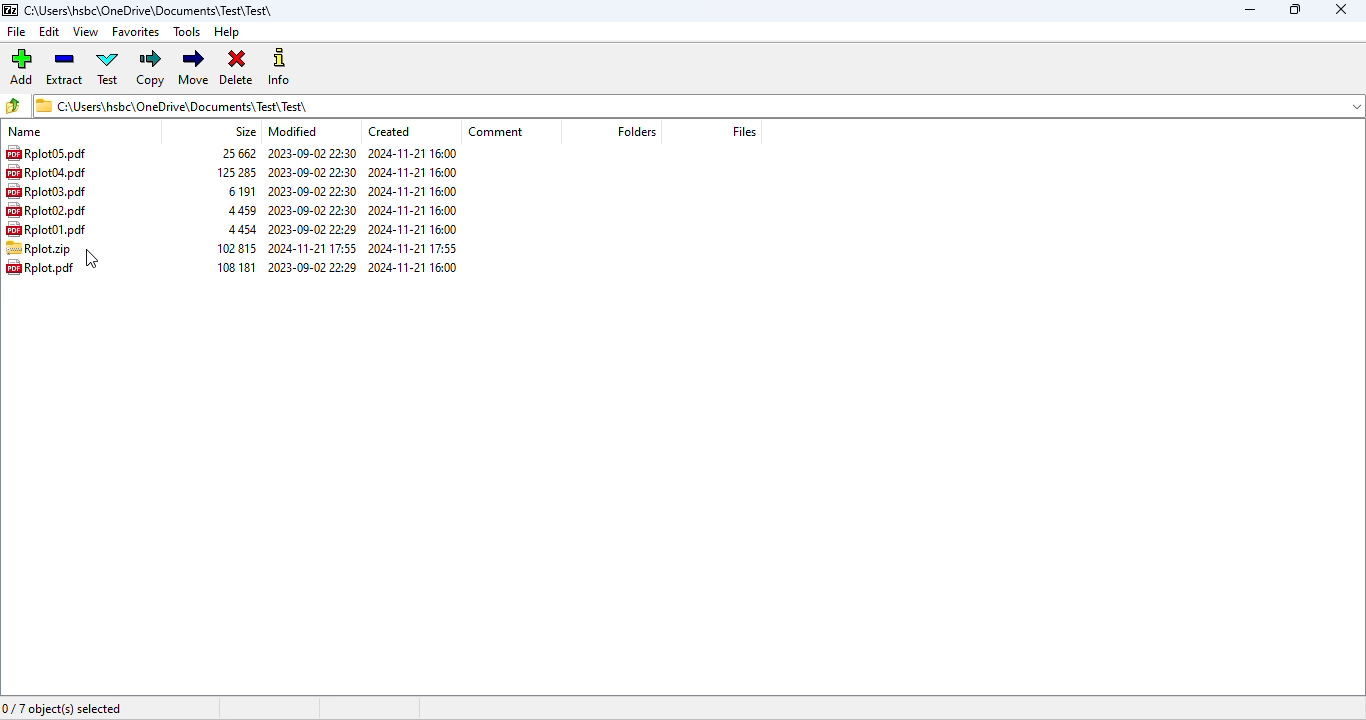 The width and height of the screenshot is (1366, 720). Describe the element at coordinates (51, 211) in the screenshot. I see ` Rplot02.pdf` at that location.